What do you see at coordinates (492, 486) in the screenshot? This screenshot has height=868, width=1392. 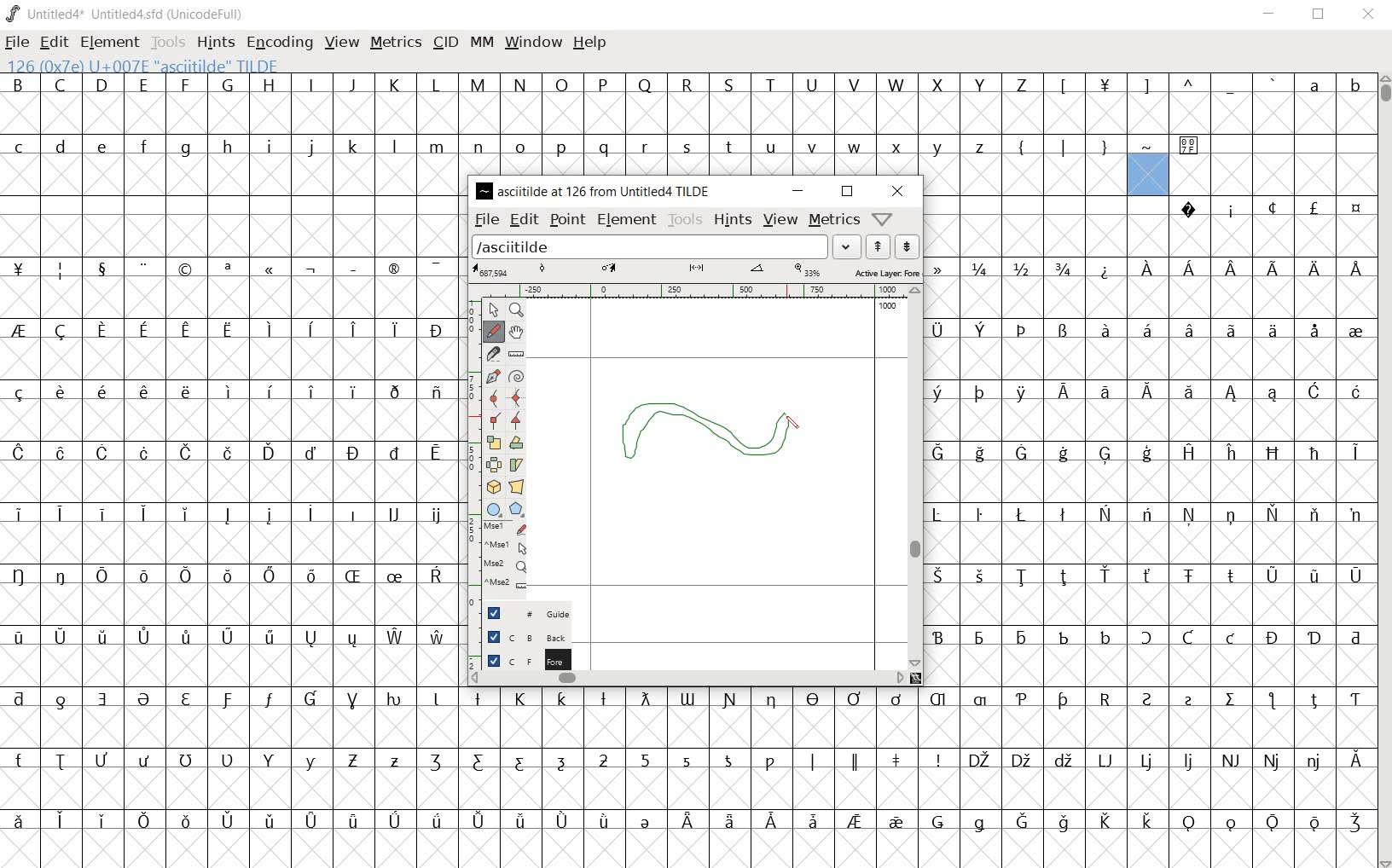 I see `perform a perspective transformation on the selection` at bounding box center [492, 486].